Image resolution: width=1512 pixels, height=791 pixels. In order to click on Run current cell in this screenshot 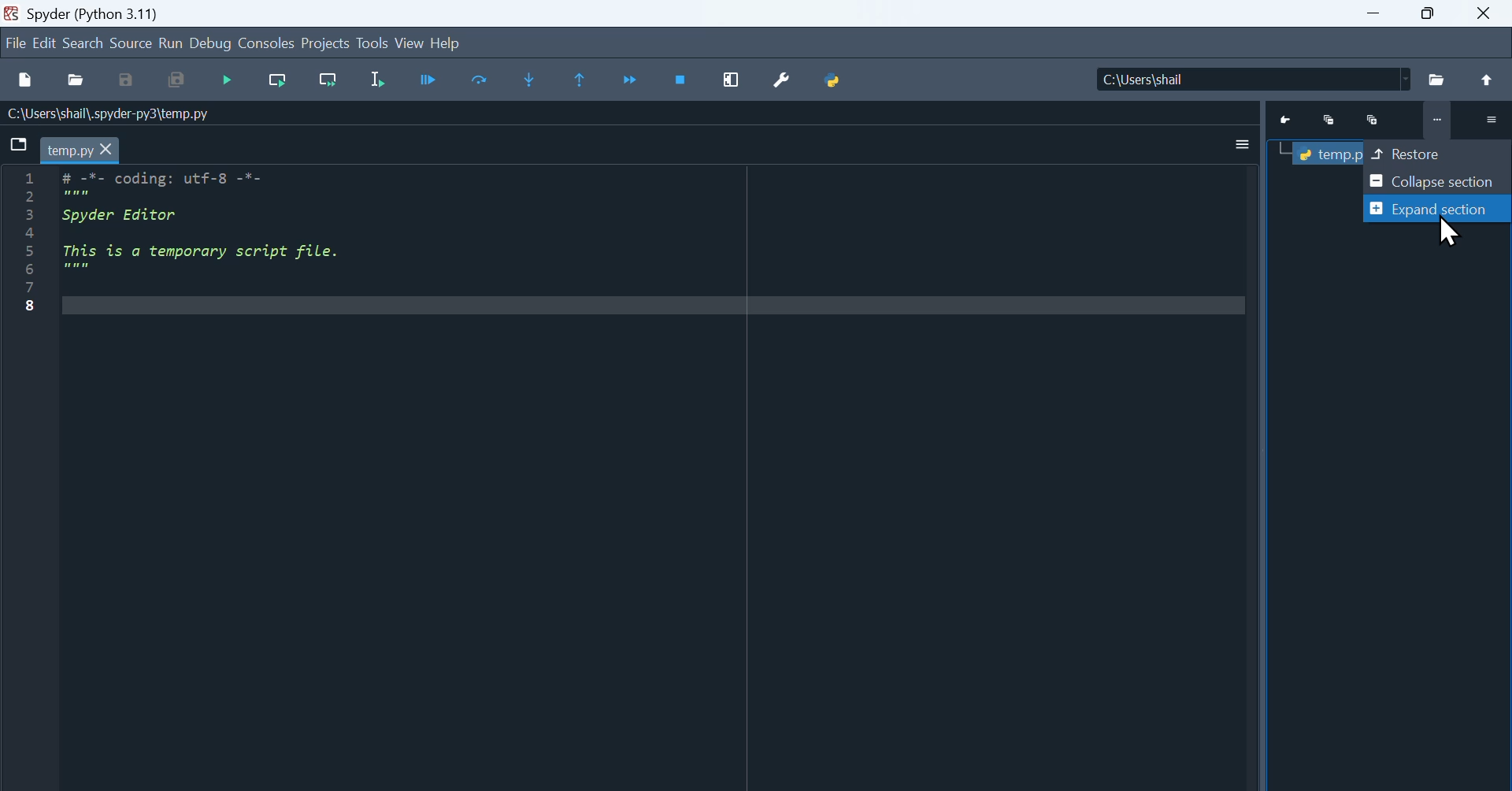, I will do `click(278, 81)`.